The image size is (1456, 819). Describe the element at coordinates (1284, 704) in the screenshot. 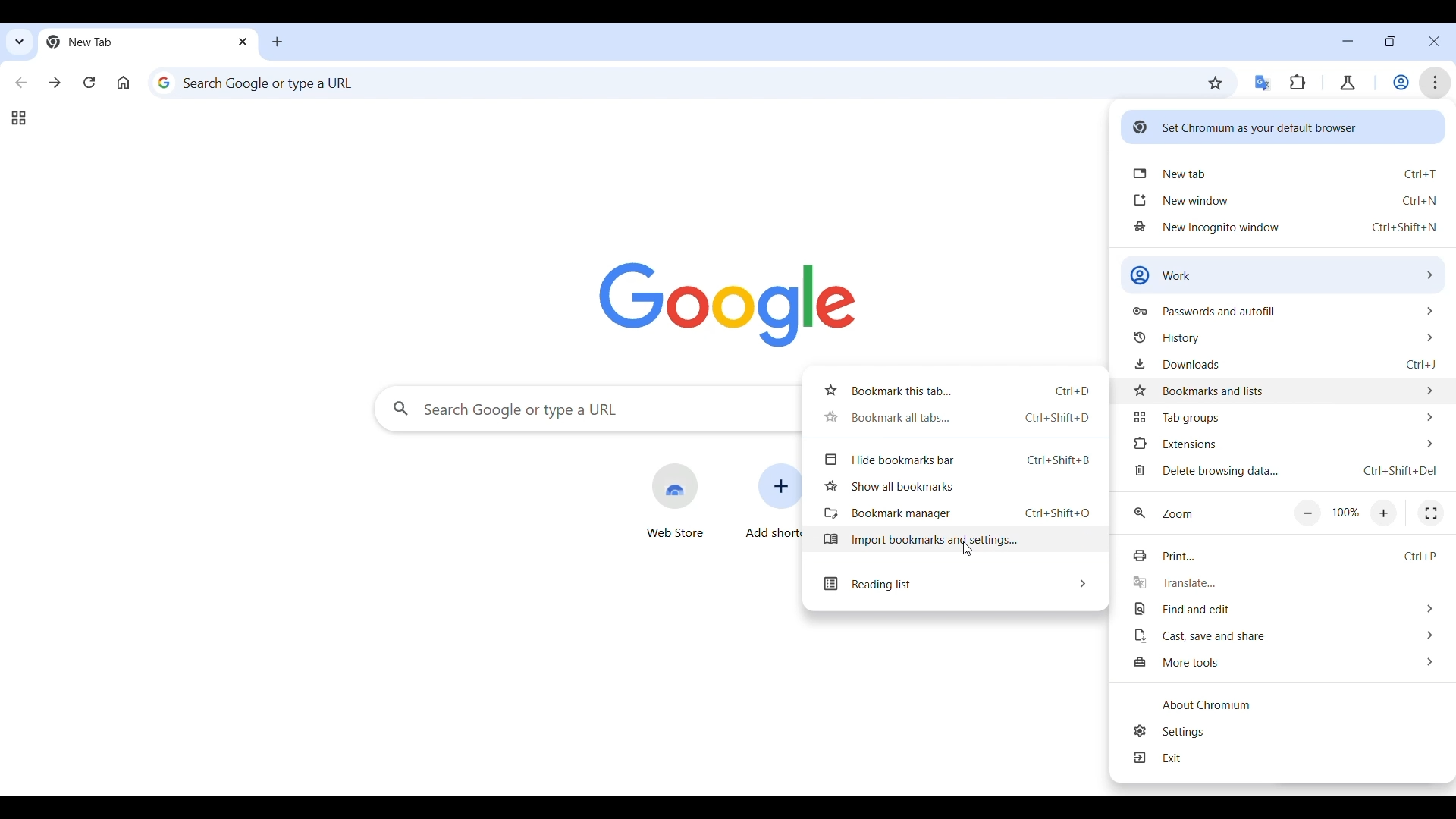

I see `About Chromium` at that location.